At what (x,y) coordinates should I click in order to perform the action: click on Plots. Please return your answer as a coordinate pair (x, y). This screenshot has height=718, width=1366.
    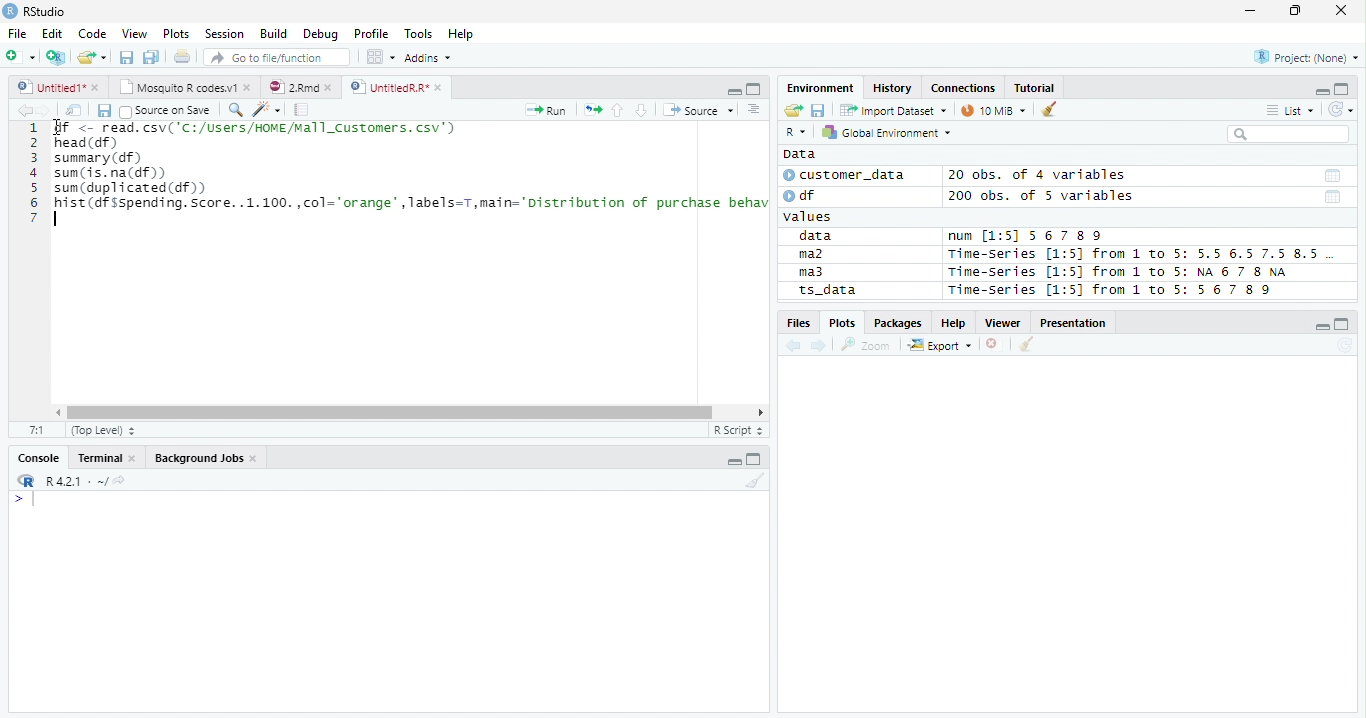
    Looking at the image, I should click on (176, 34).